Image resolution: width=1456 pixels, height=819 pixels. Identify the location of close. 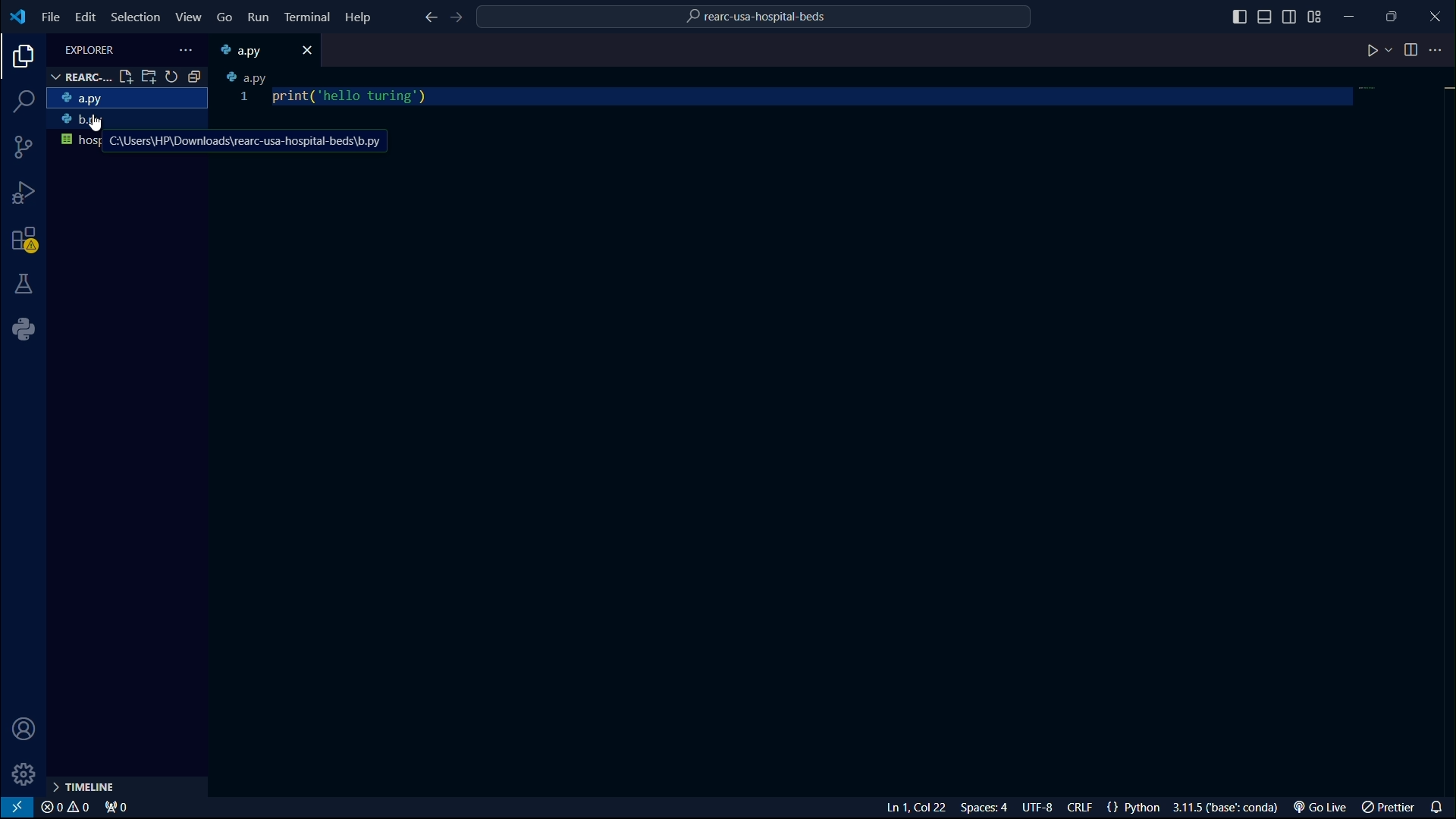
(310, 49).